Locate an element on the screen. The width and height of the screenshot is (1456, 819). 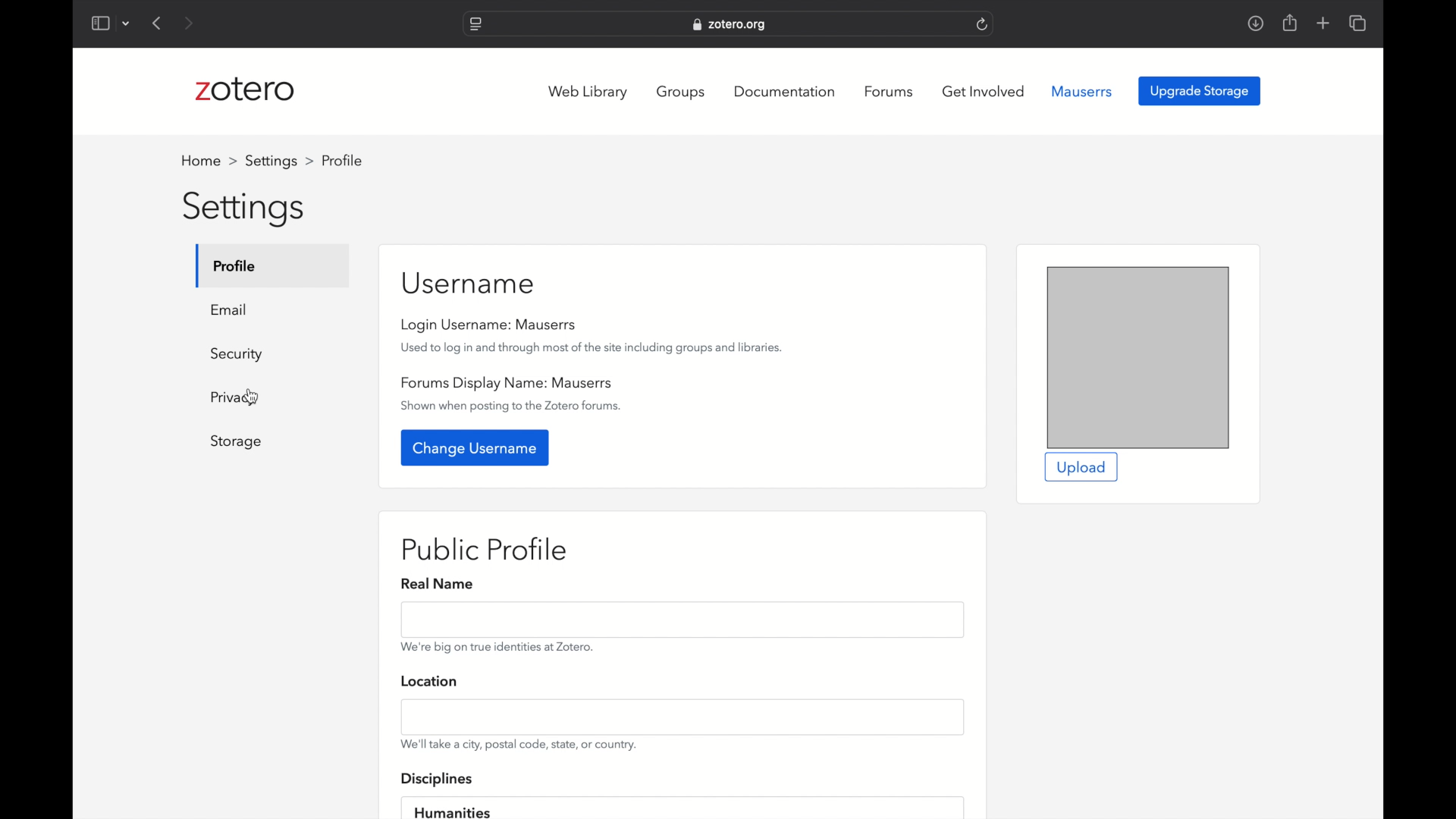
location is located at coordinates (431, 682).